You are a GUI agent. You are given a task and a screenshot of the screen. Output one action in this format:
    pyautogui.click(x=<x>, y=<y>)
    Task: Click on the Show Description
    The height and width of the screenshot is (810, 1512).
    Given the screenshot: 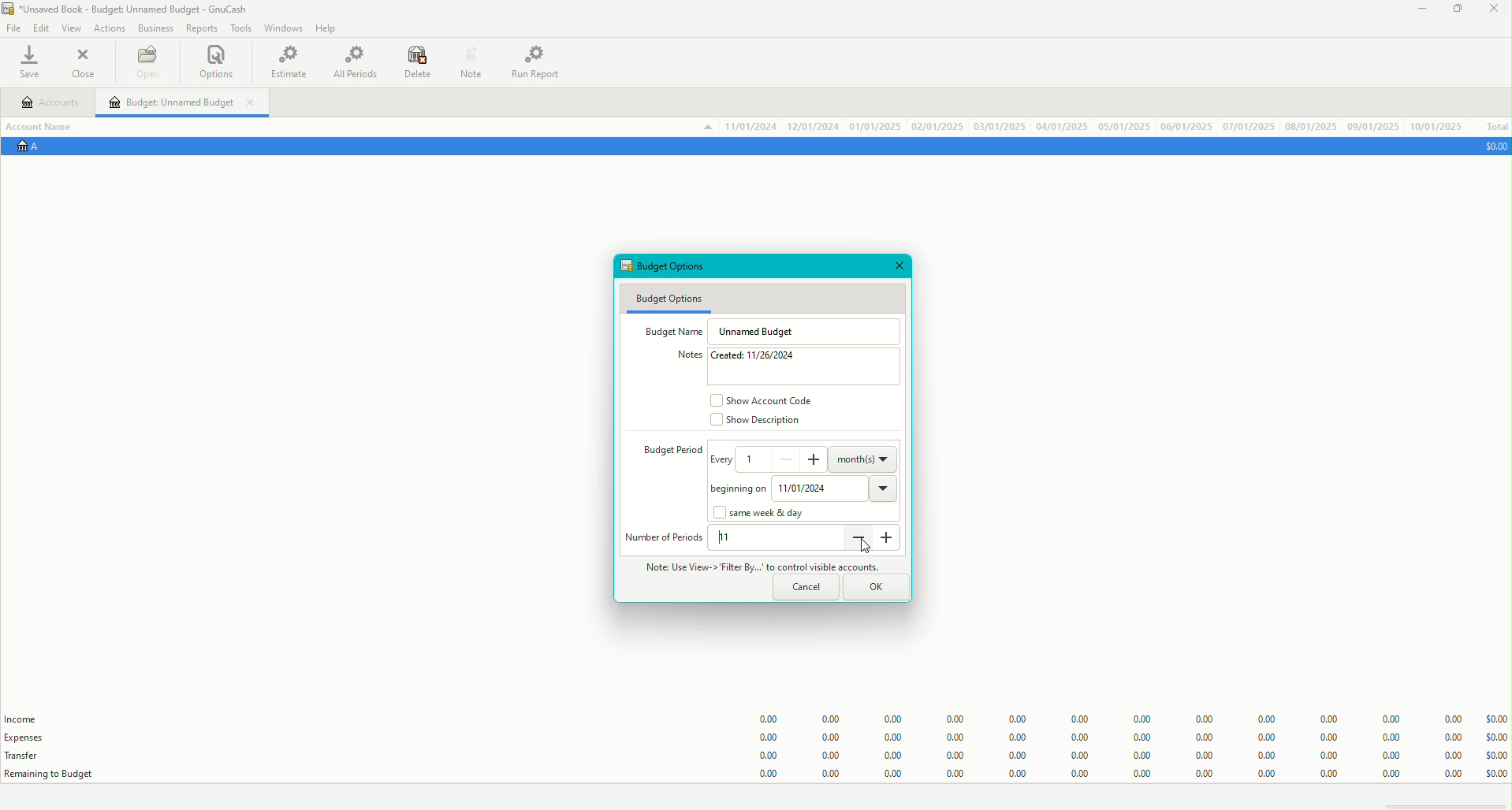 What is the action you would take?
    pyautogui.click(x=758, y=423)
    